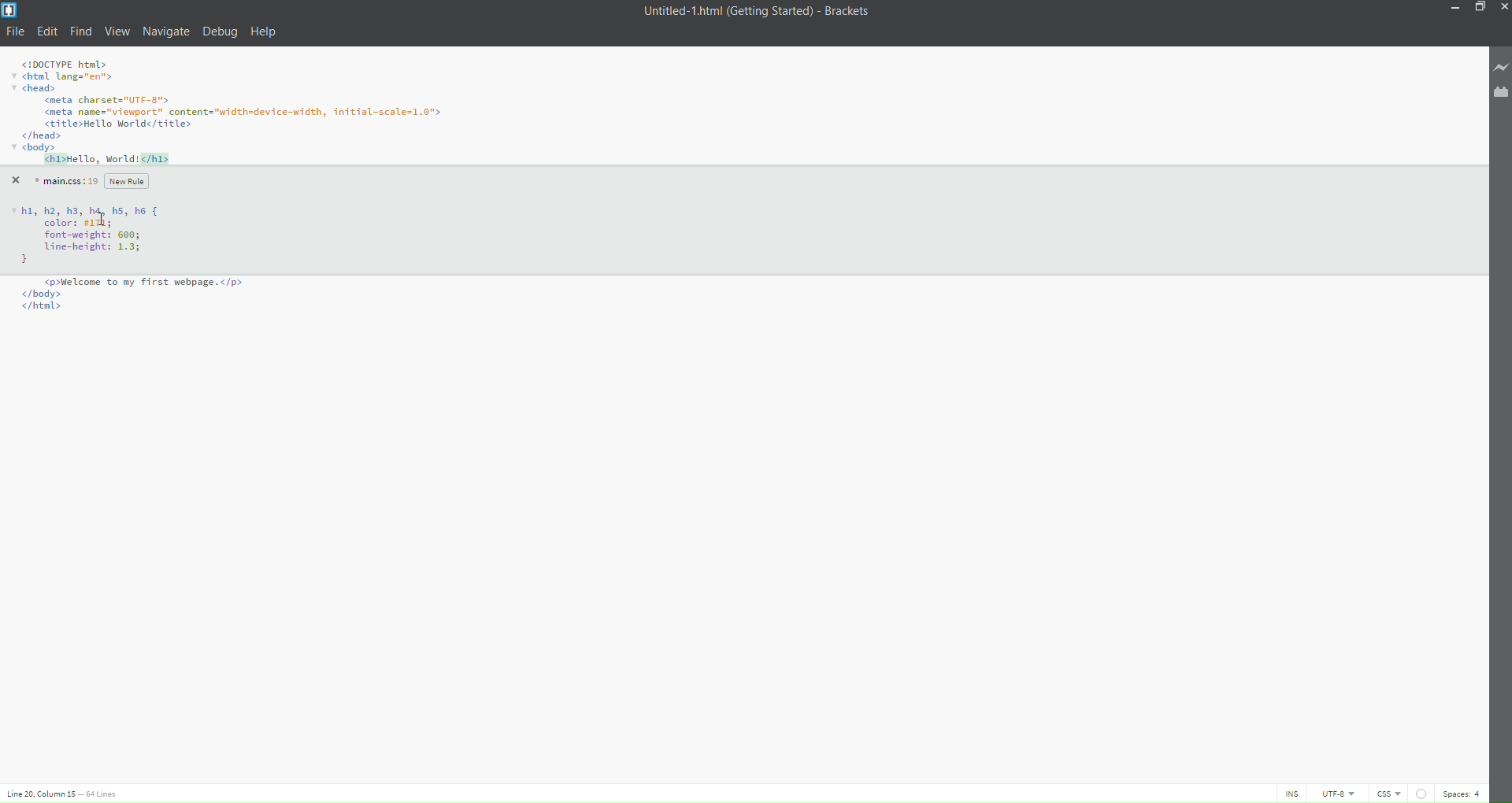 The height and width of the screenshot is (803, 1512). Describe the element at coordinates (1419, 791) in the screenshot. I see `linting` at that location.